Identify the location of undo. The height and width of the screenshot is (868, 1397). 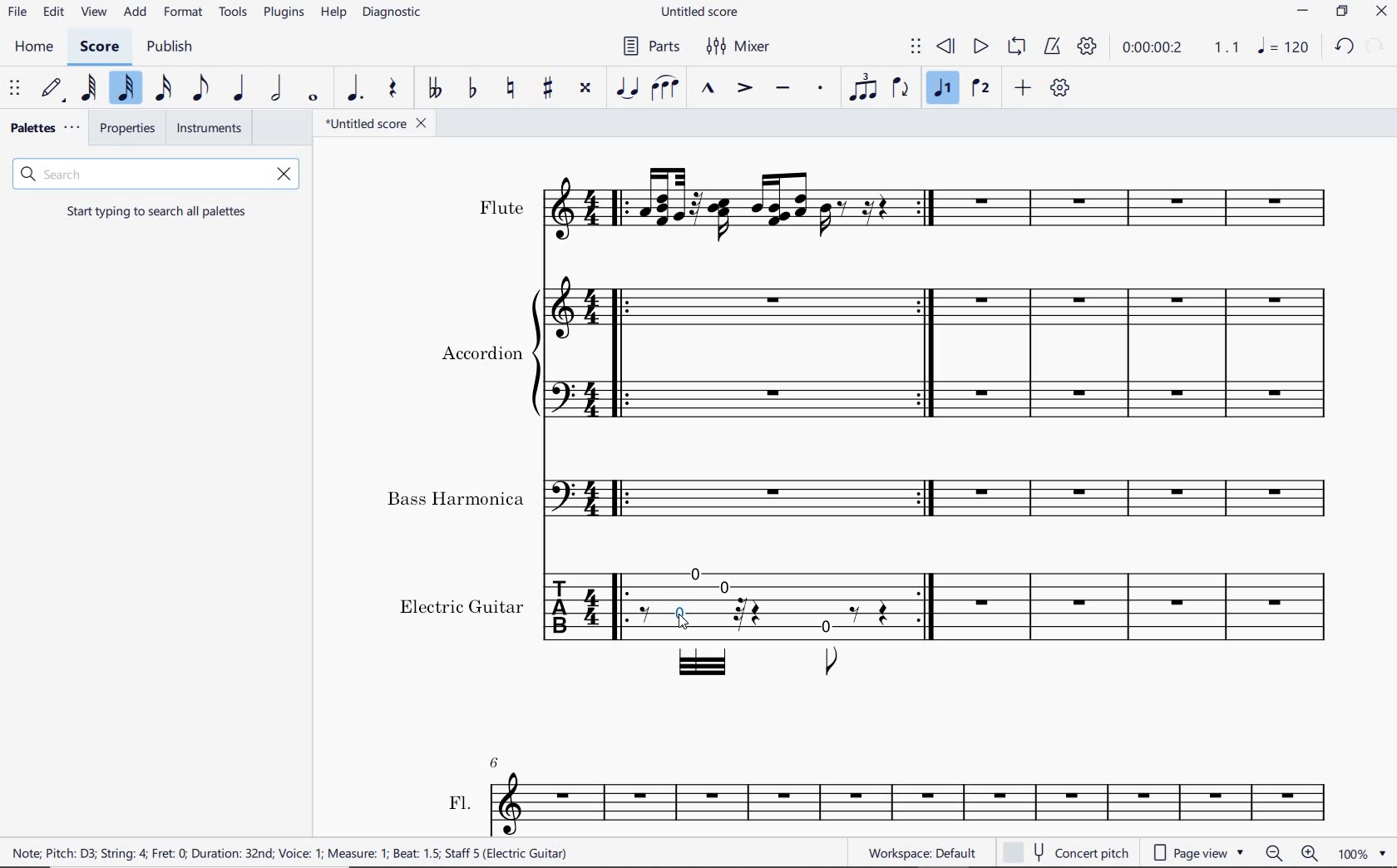
(1342, 47).